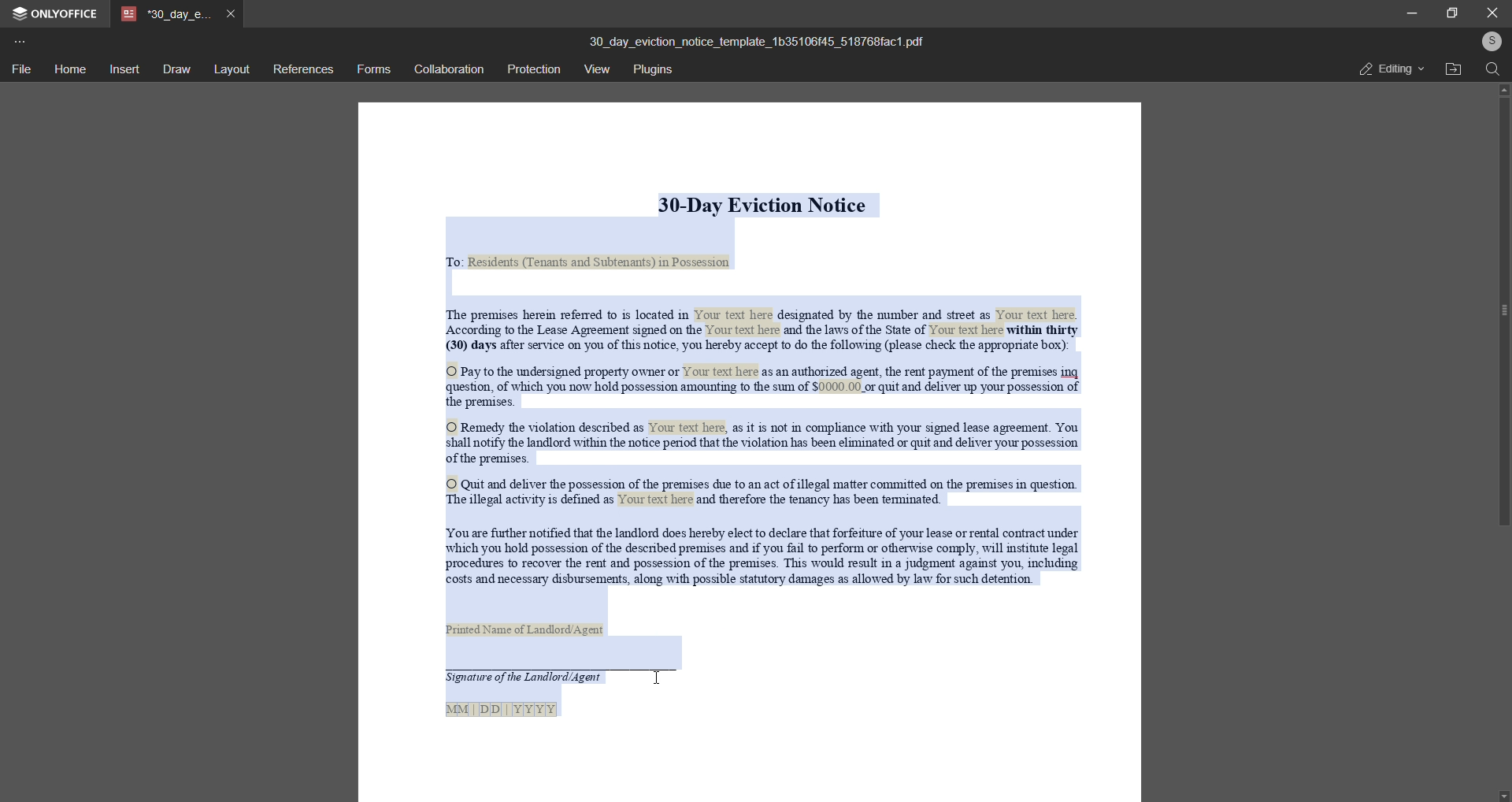 Image resolution: width=1512 pixels, height=802 pixels. Describe the element at coordinates (20, 70) in the screenshot. I see `file` at that location.